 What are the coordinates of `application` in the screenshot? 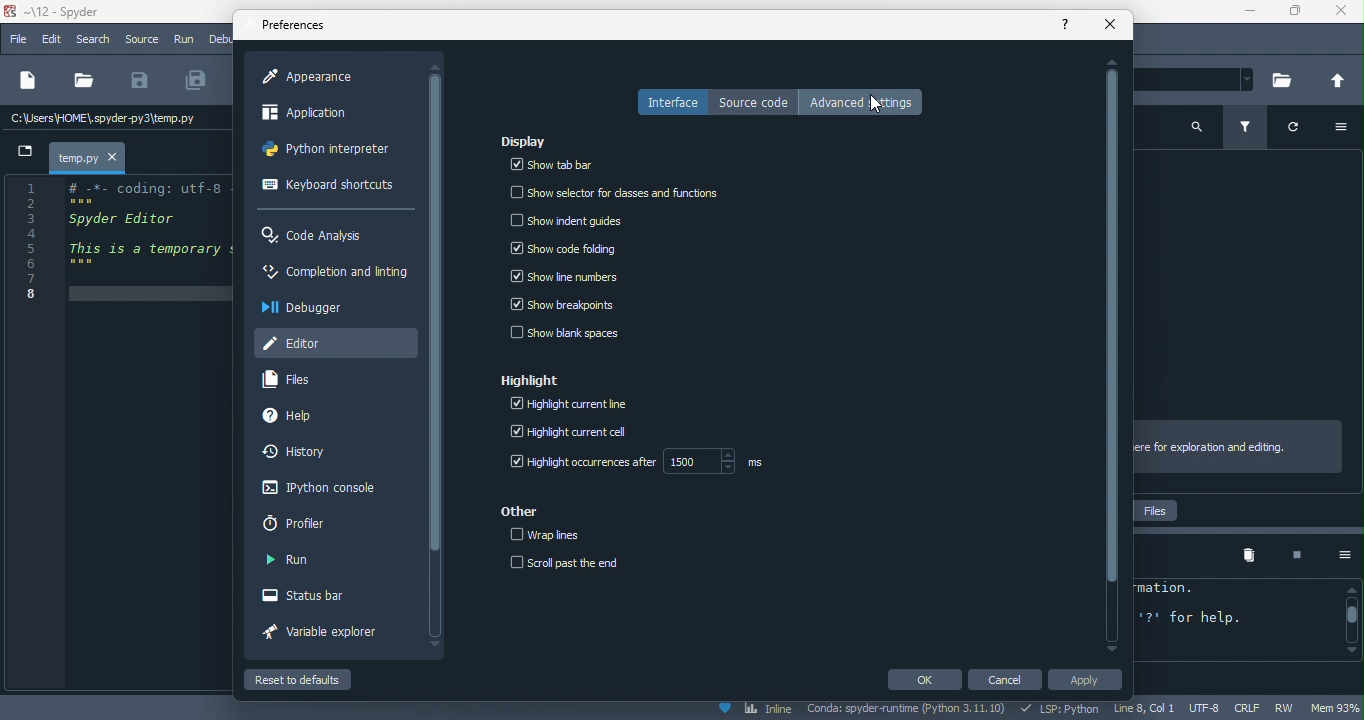 It's located at (323, 116).